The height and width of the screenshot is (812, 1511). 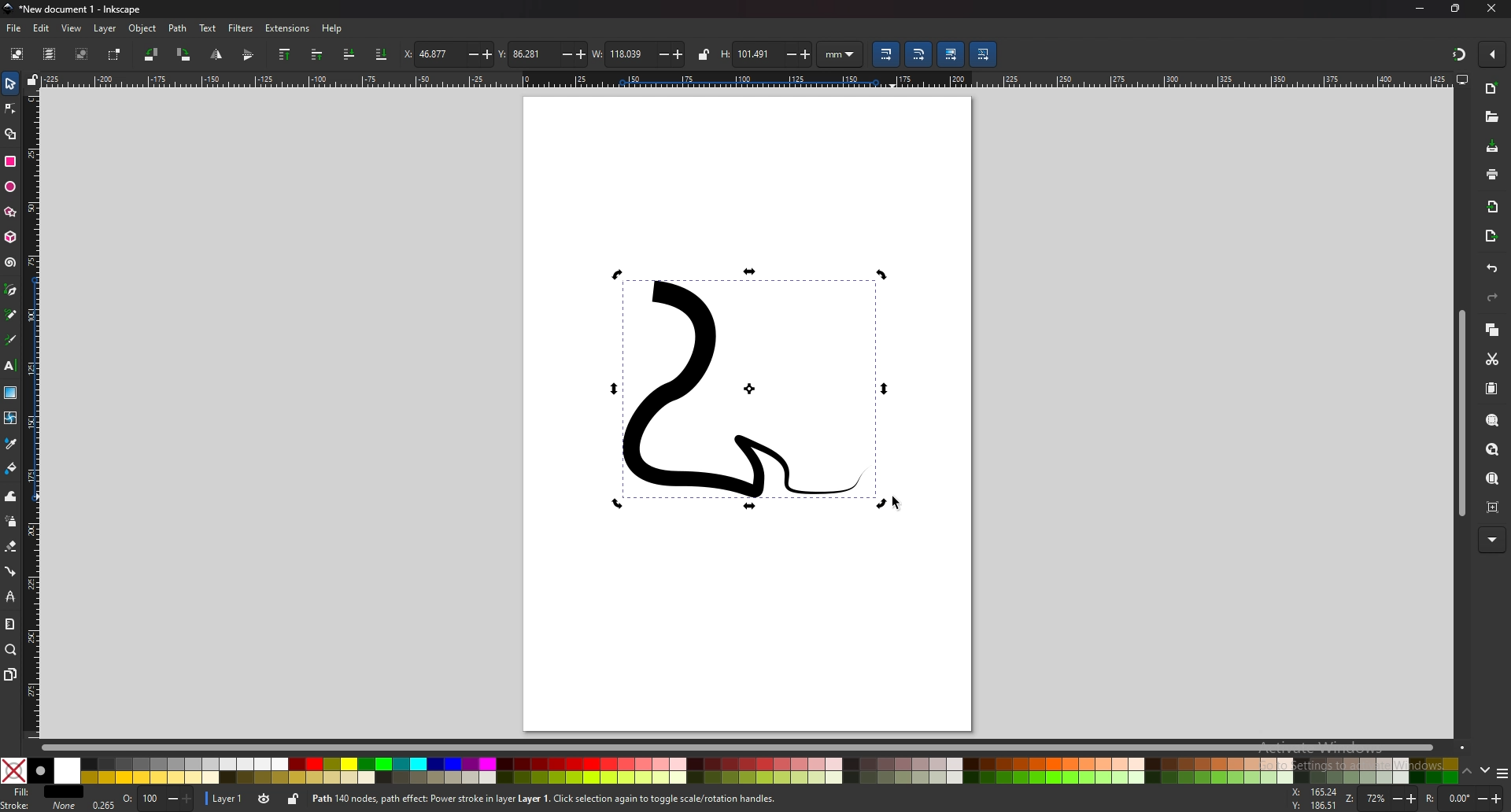 I want to click on move gradient, so click(x=950, y=54).